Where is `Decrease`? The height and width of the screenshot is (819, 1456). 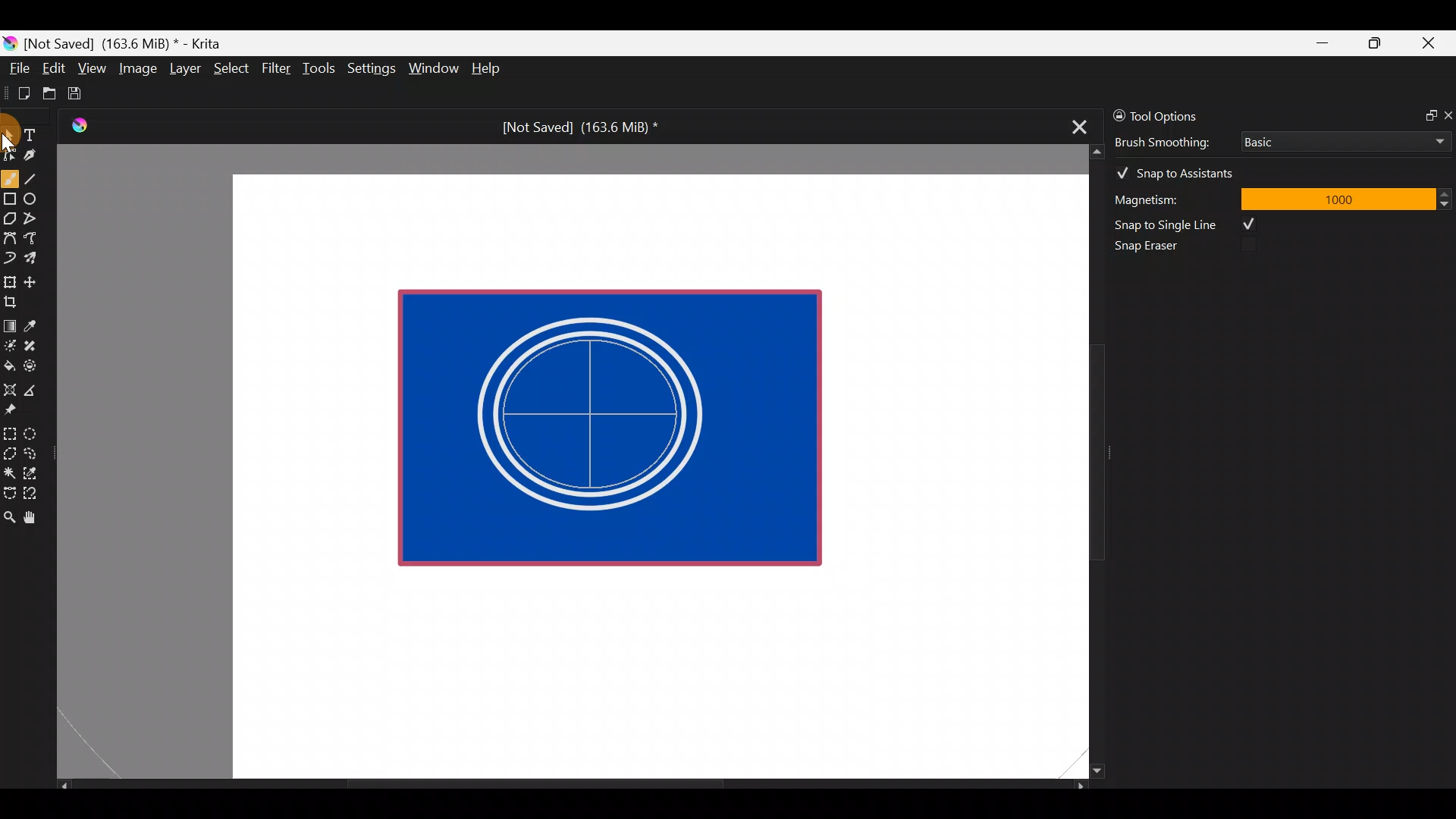 Decrease is located at coordinates (1447, 203).